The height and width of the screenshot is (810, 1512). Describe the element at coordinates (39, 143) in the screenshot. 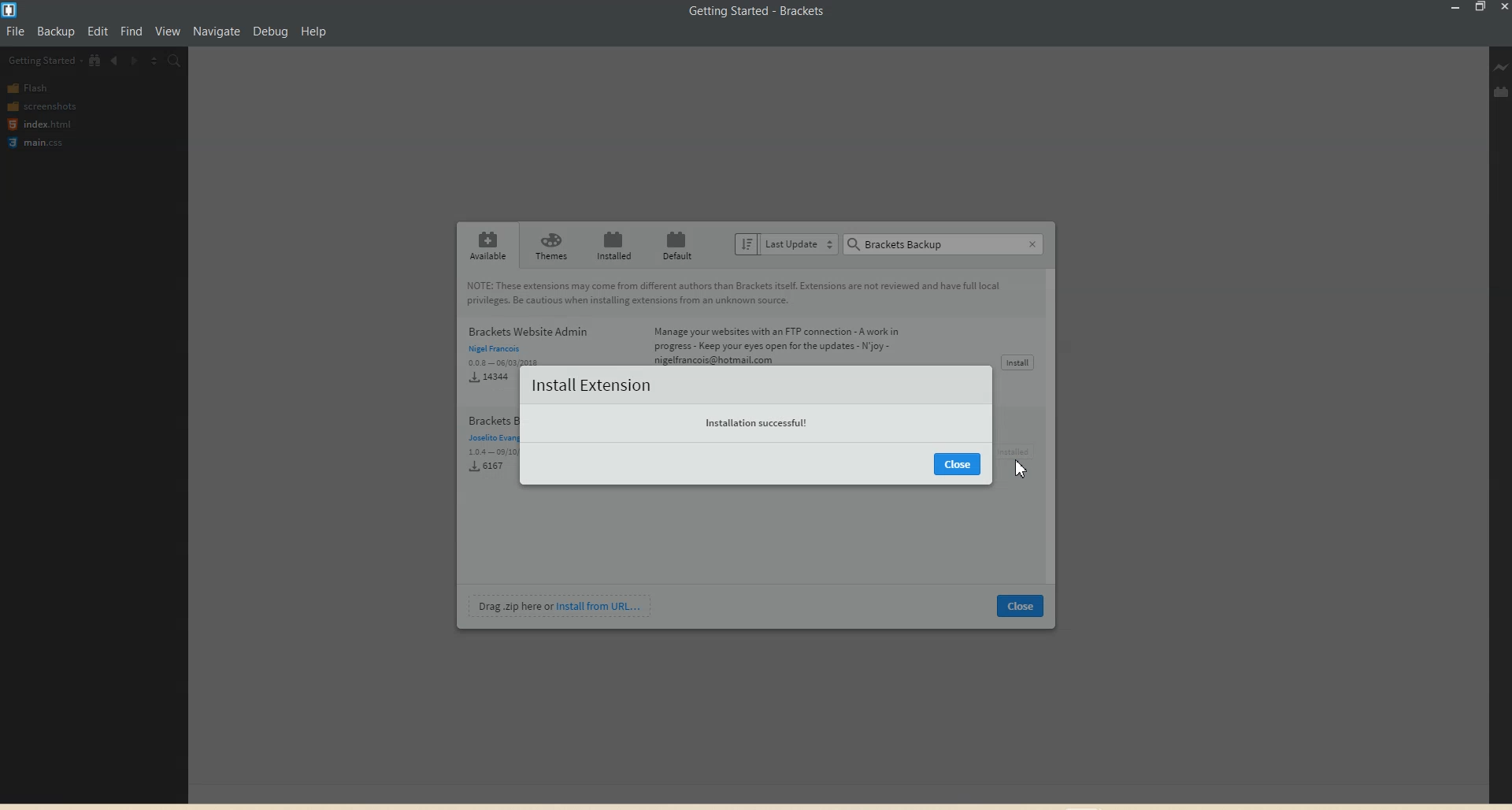

I see `main.css` at that location.